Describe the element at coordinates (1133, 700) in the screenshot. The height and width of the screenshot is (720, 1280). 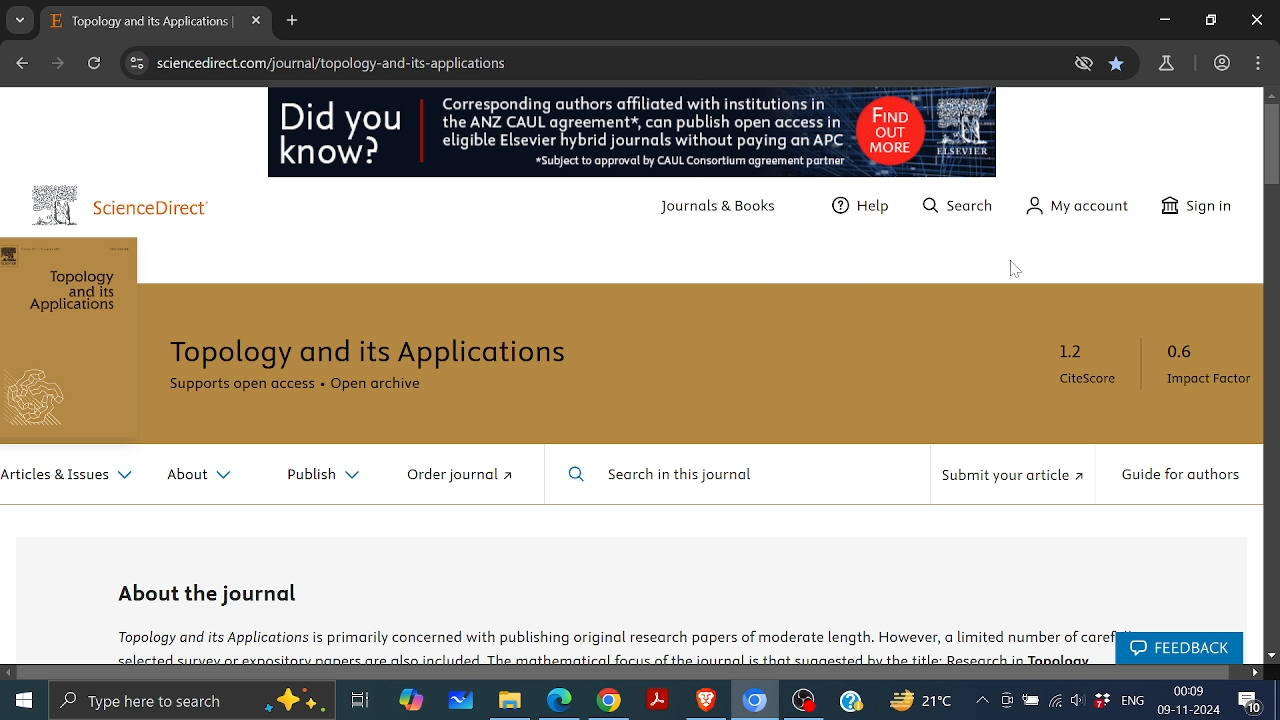
I see `Eng` at that location.